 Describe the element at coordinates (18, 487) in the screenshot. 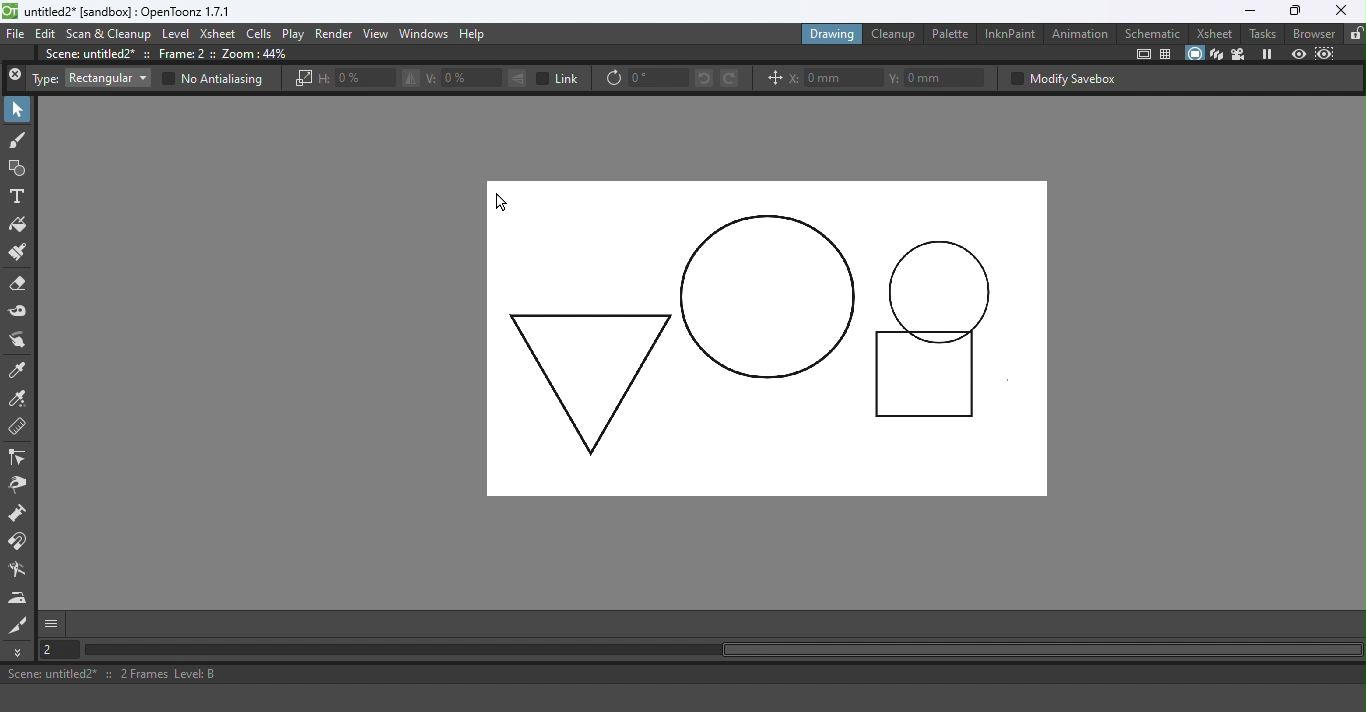

I see `Pinch tool` at that location.